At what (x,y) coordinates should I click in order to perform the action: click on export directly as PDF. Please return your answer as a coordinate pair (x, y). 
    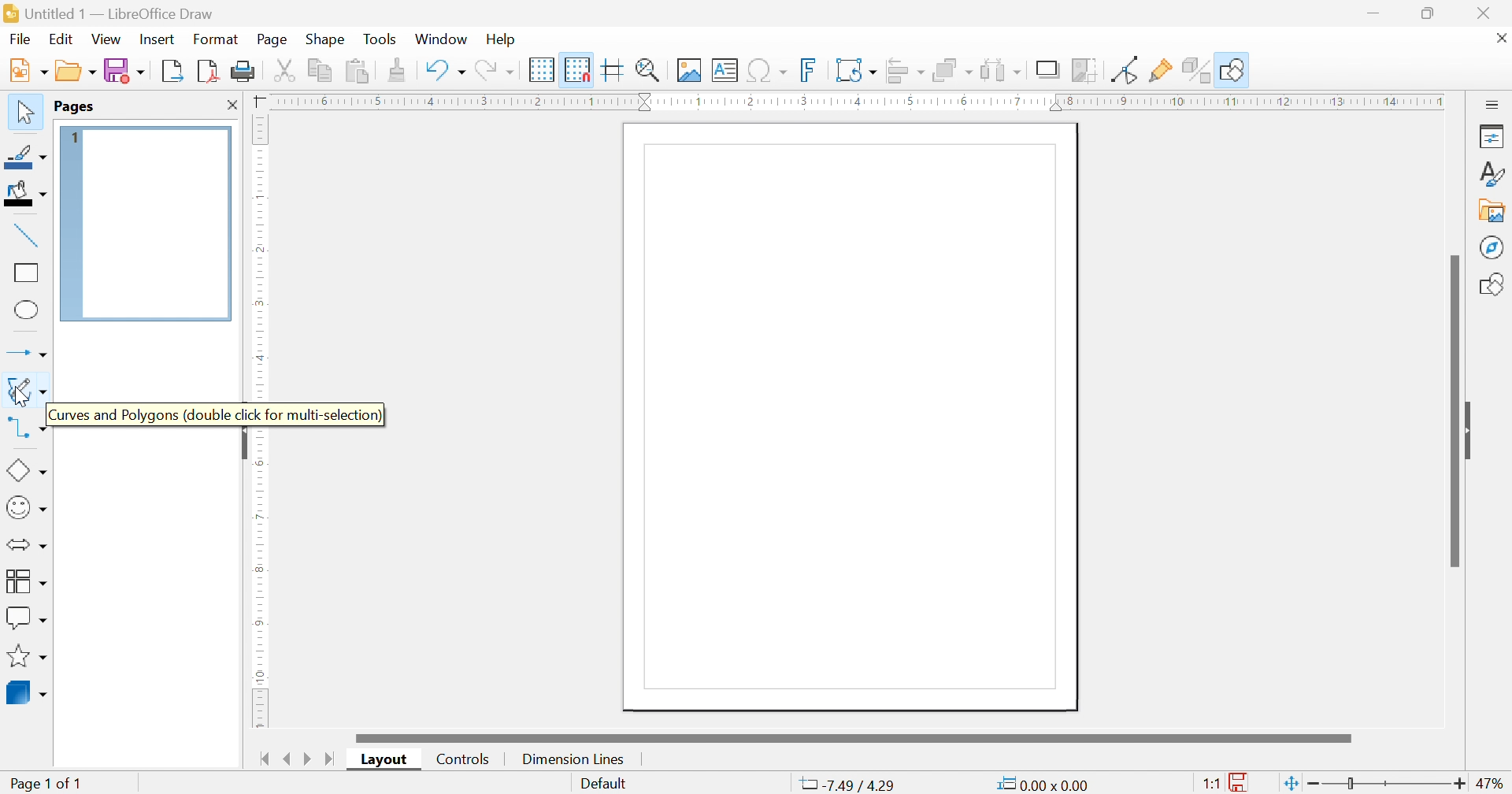
    Looking at the image, I should click on (210, 72).